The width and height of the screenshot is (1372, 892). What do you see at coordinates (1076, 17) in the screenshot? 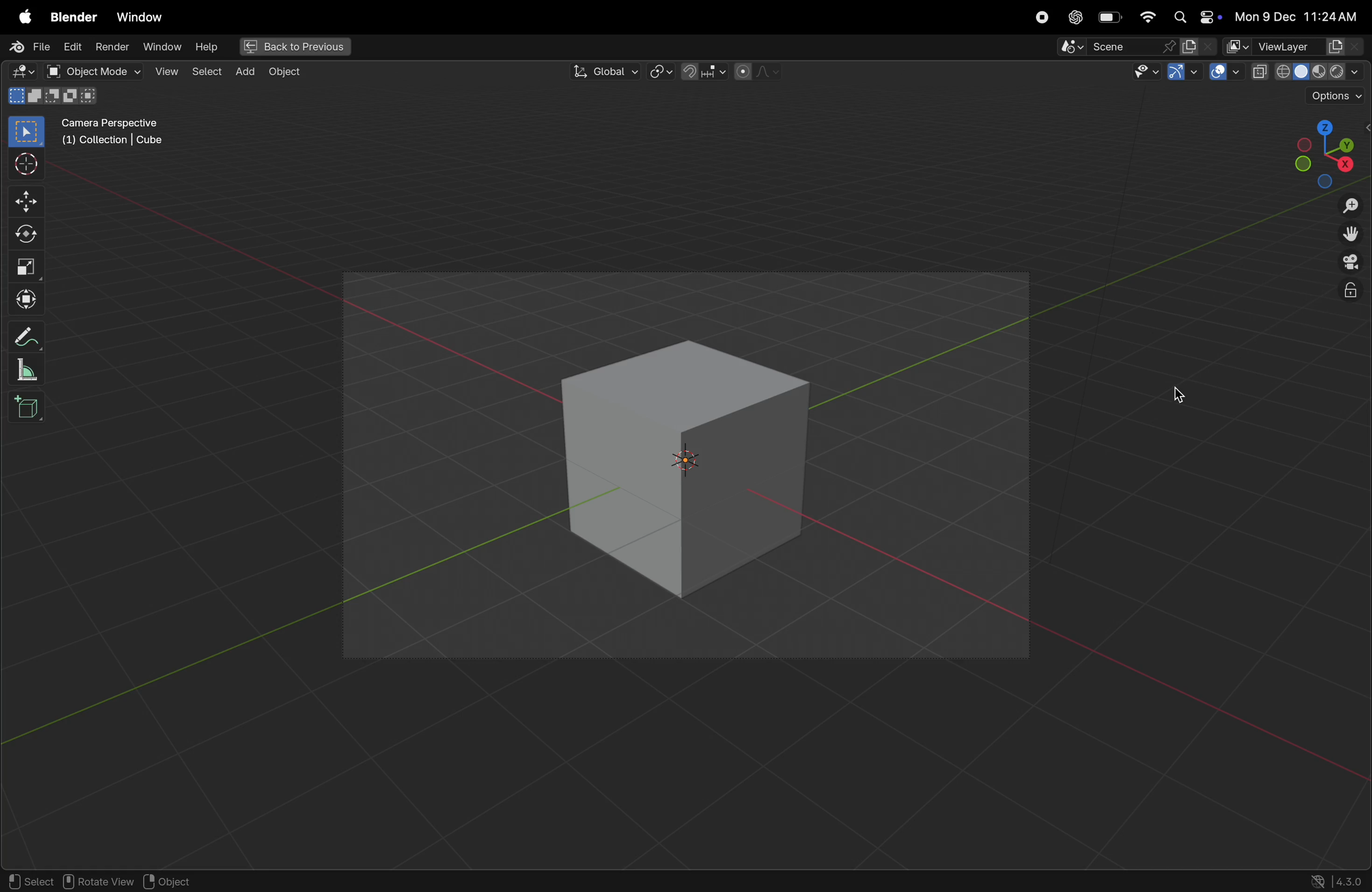
I see `Chatgpt` at bounding box center [1076, 17].